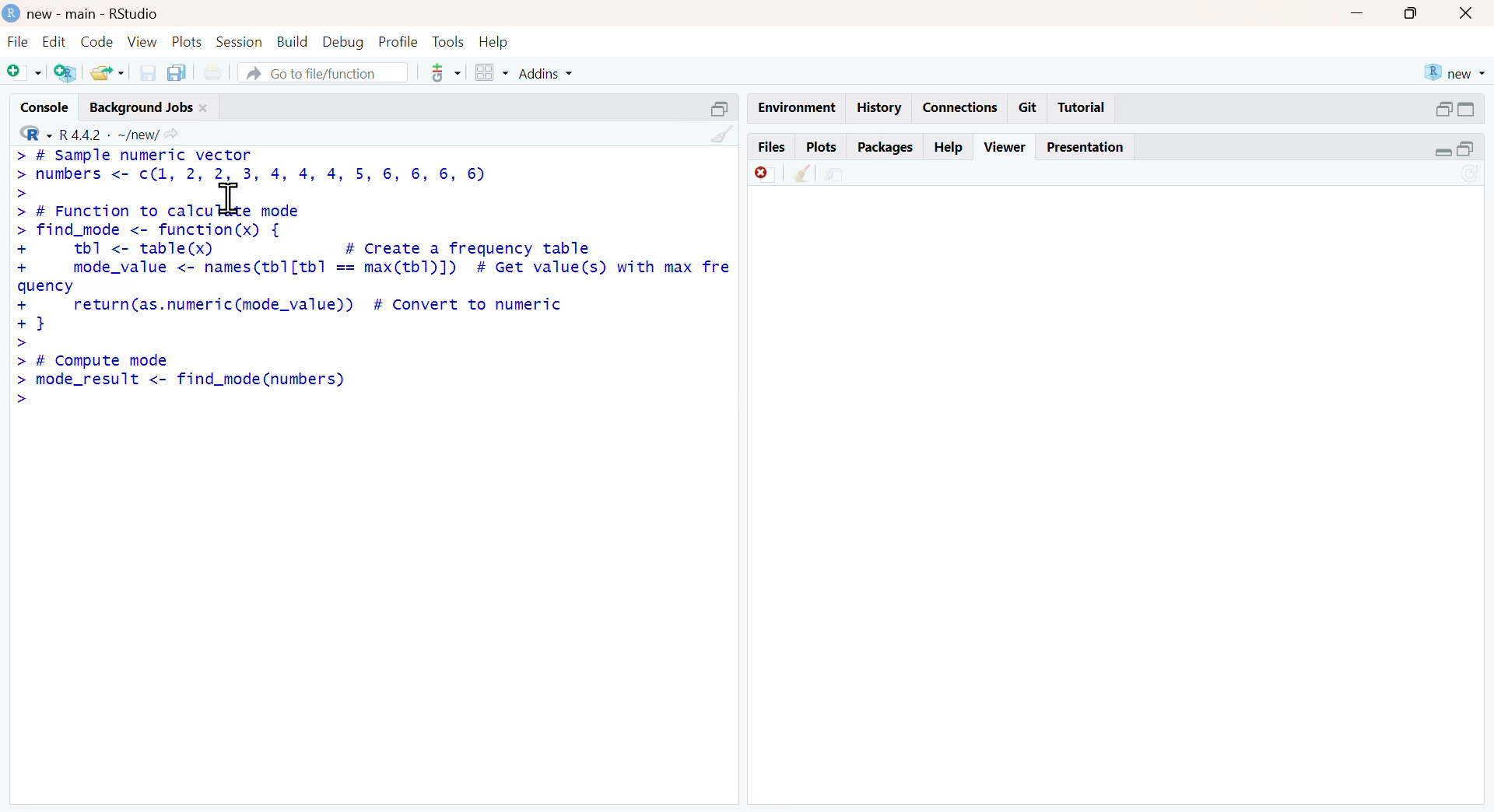 Image resolution: width=1494 pixels, height=812 pixels. I want to click on copy, so click(177, 72).